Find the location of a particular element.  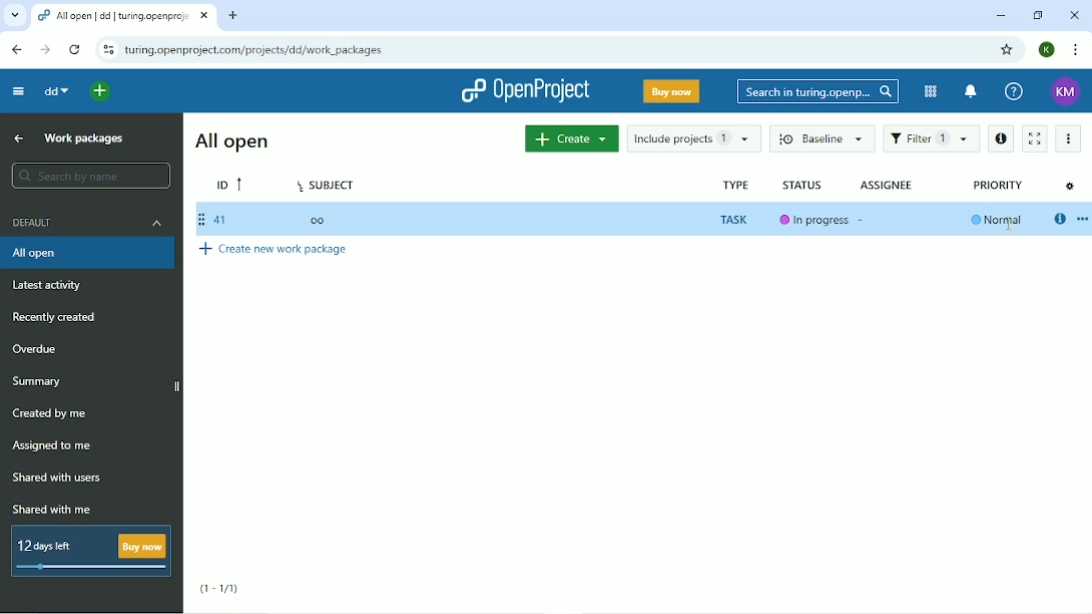

Shared with users is located at coordinates (59, 476).